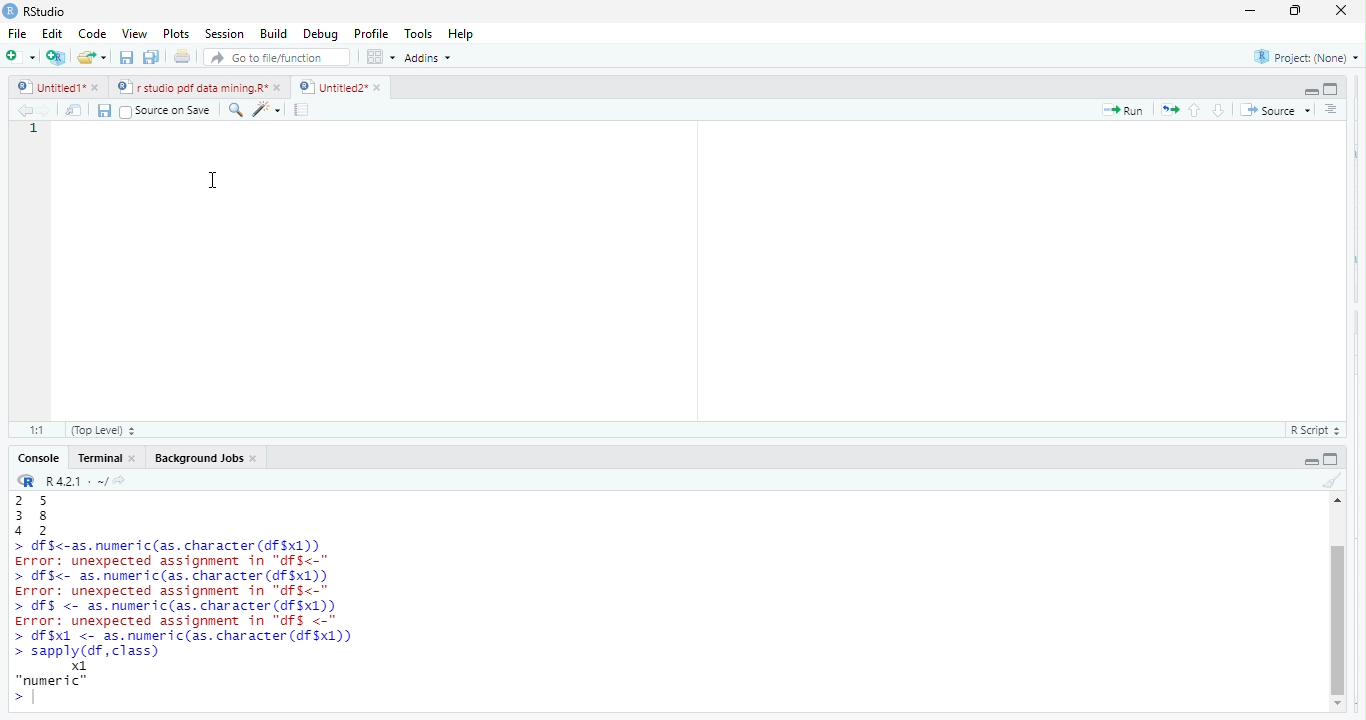  What do you see at coordinates (1246, 12) in the screenshot?
I see `minimize` at bounding box center [1246, 12].